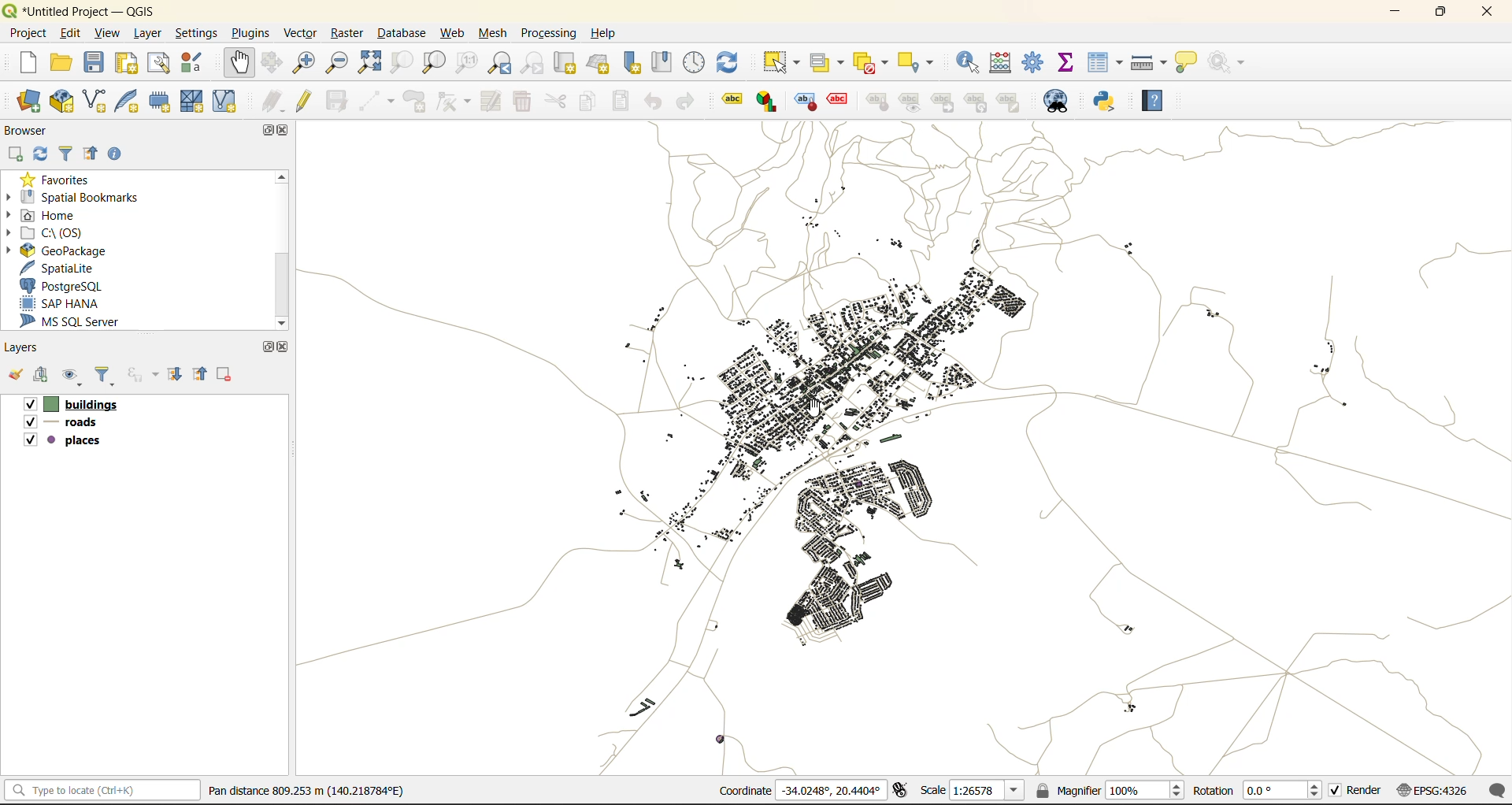 This screenshot has width=1512, height=805. I want to click on Style, so click(805, 101).